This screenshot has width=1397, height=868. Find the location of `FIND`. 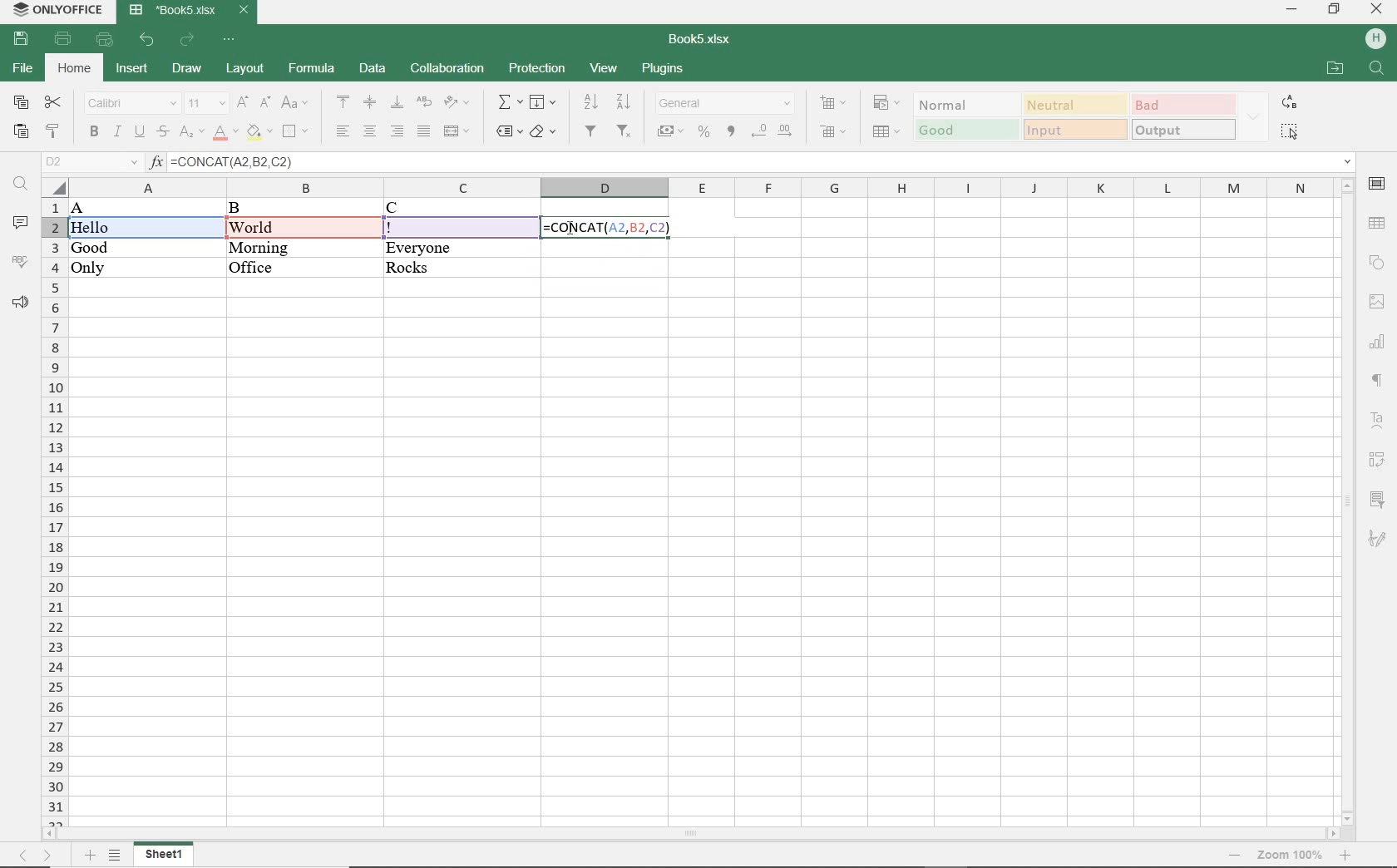

FIND is located at coordinates (22, 184).